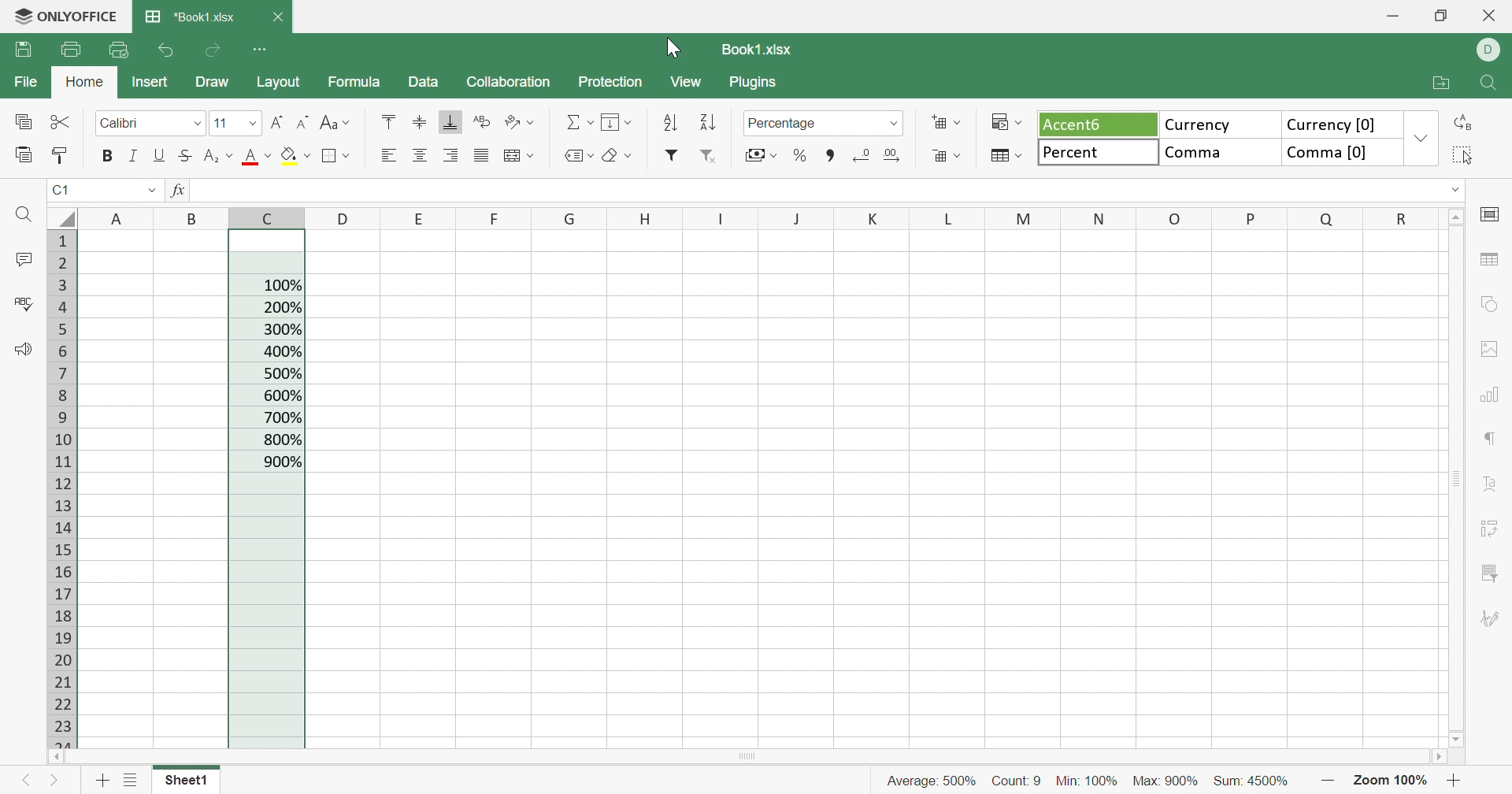 Image resolution: width=1512 pixels, height=794 pixels. What do you see at coordinates (1255, 782) in the screenshot?
I see `Sum: 4500%` at bounding box center [1255, 782].